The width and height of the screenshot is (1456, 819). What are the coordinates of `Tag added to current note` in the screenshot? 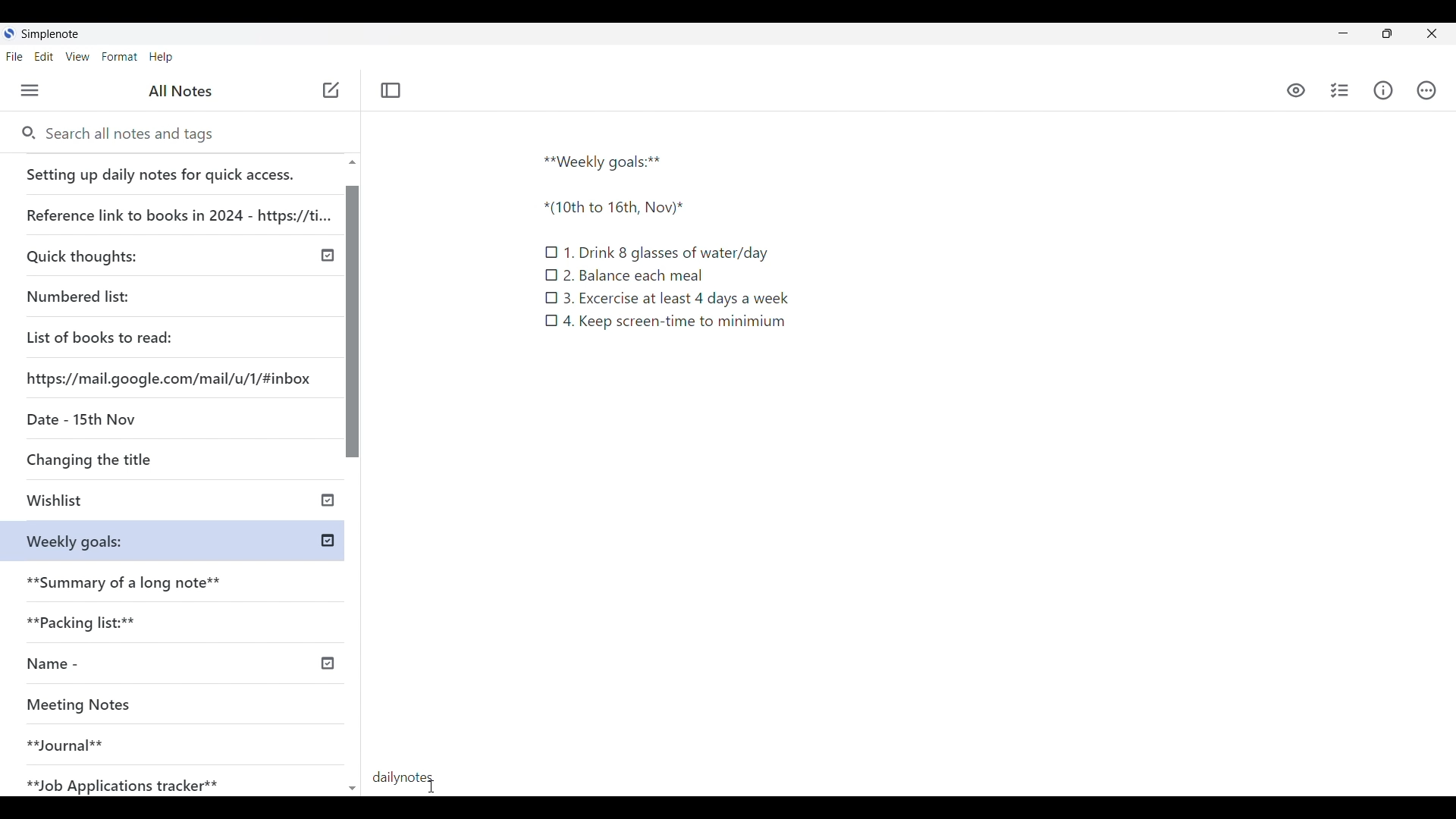 It's located at (403, 776).